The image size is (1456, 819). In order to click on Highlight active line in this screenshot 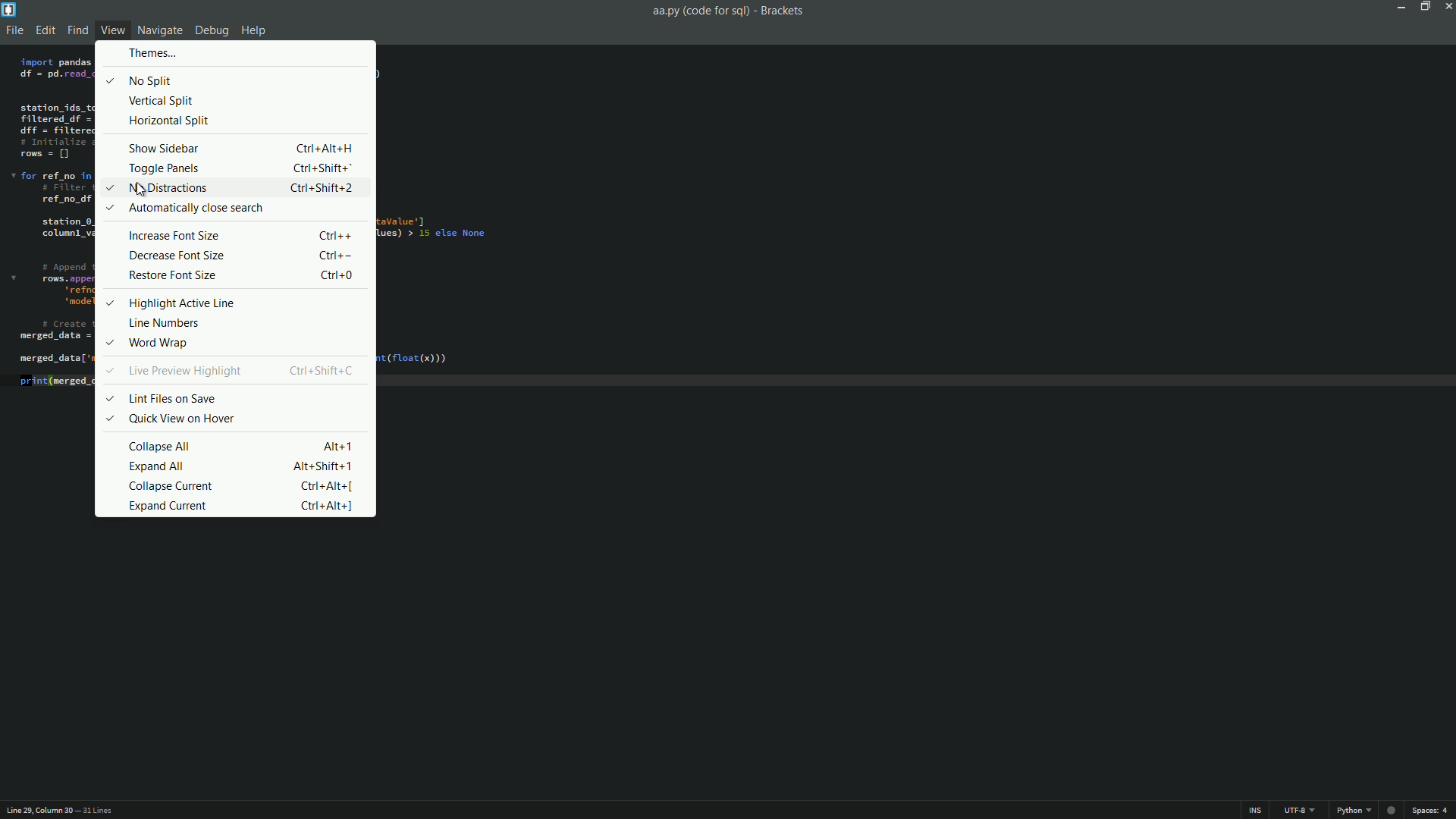, I will do `click(170, 302)`.